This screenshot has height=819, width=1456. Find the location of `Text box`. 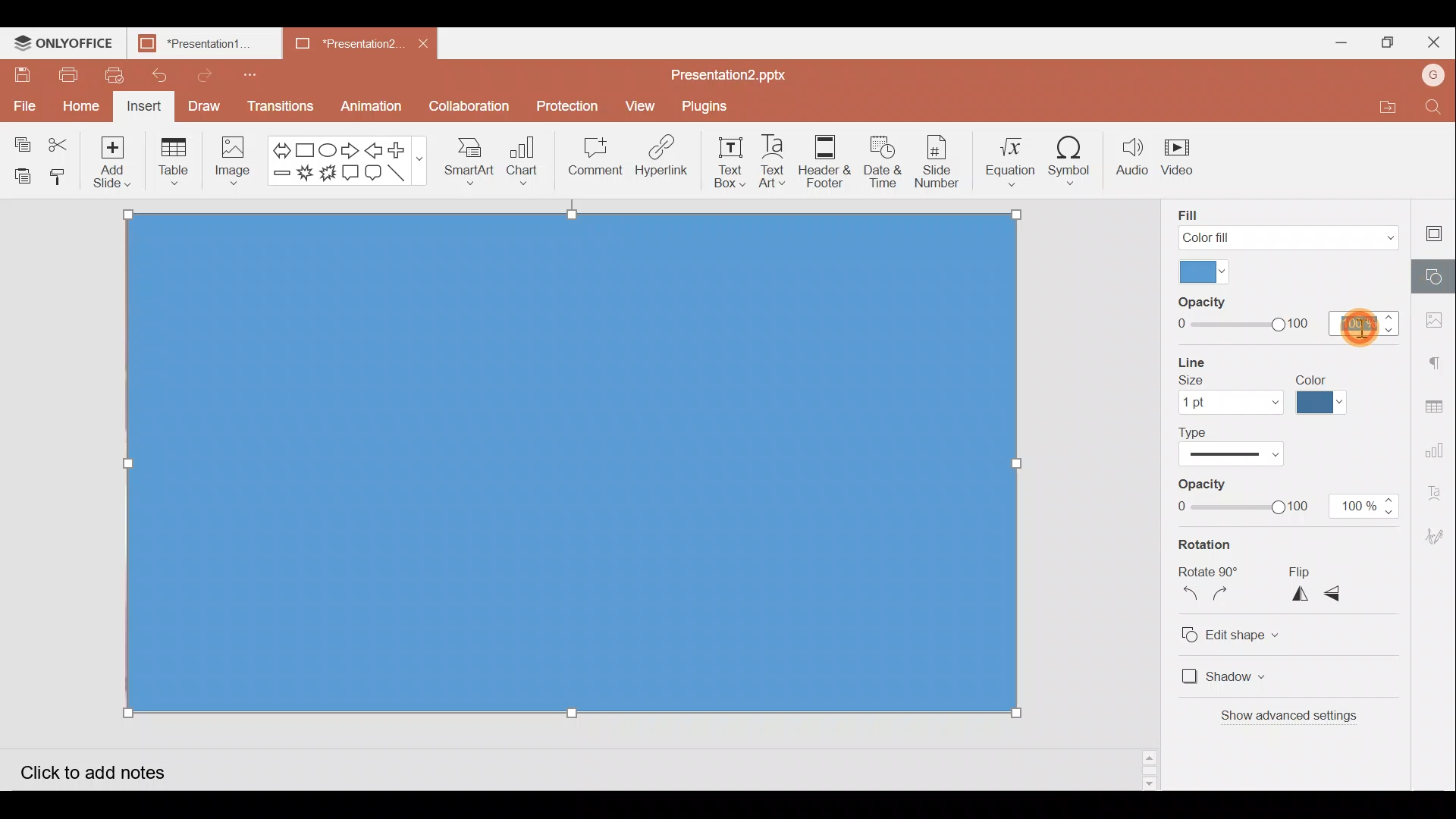

Text box is located at coordinates (722, 165).